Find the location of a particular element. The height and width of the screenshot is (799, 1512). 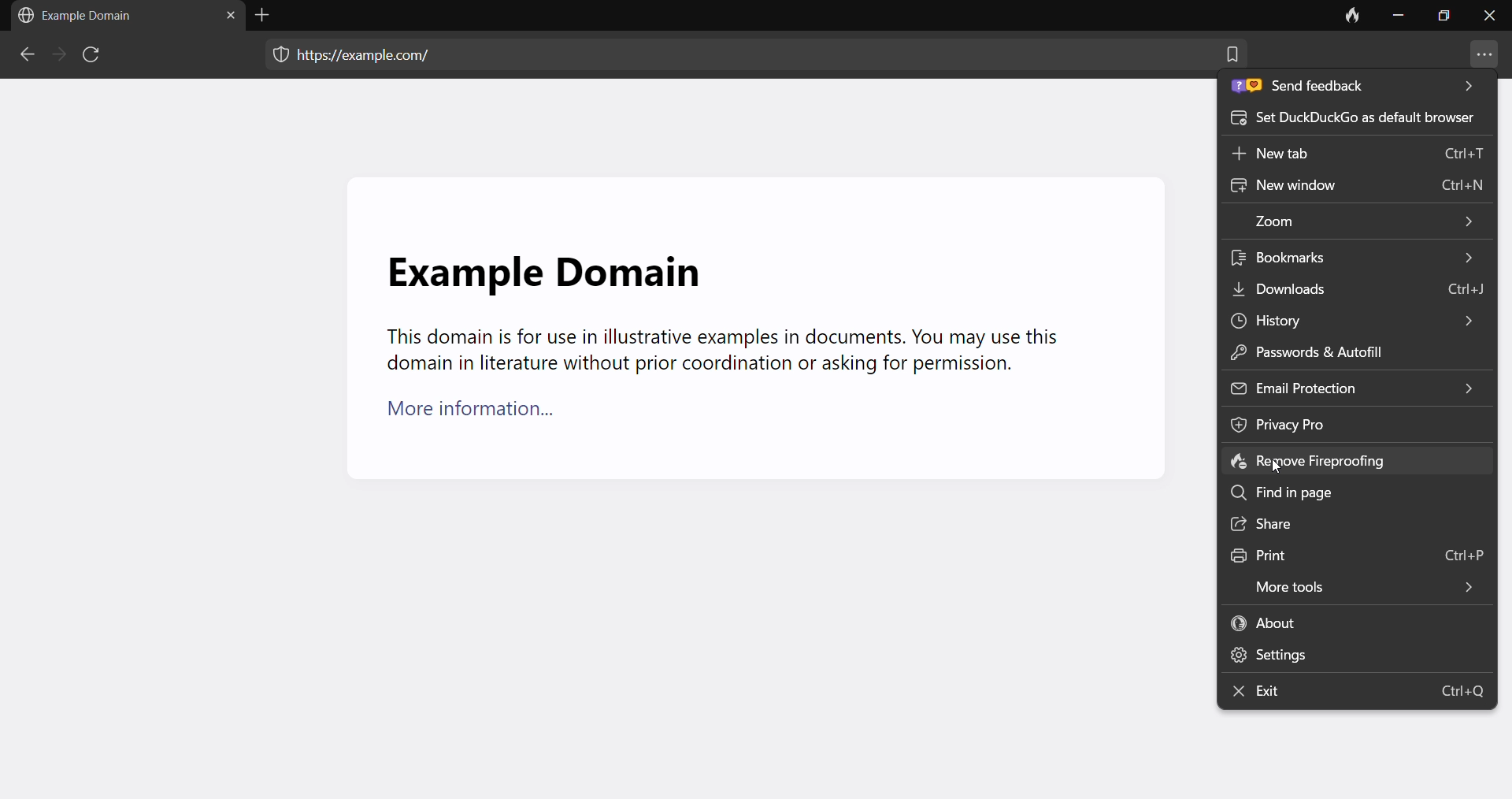

forward is located at coordinates (56, 55).